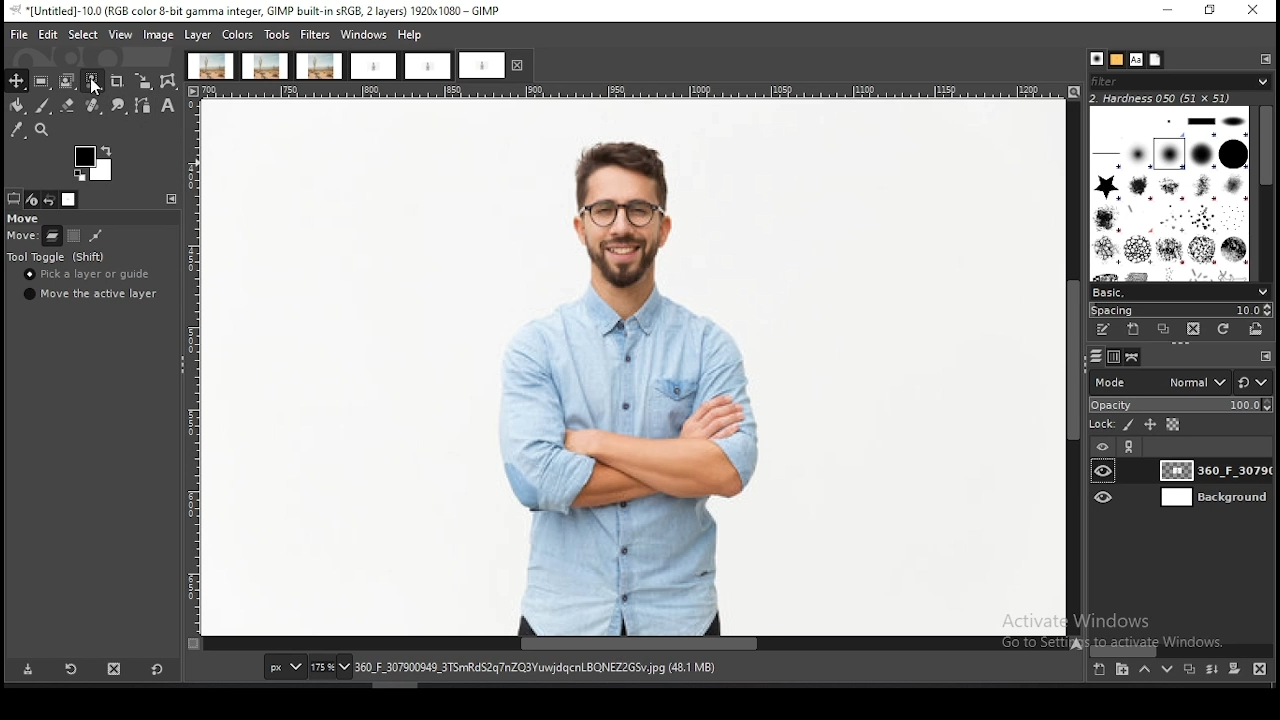 Image resolution: width=1280 pixels, height=720 pixels. Describe the element at coordinates (1180, 406) in the screenshot. I see `opacity` at that location.